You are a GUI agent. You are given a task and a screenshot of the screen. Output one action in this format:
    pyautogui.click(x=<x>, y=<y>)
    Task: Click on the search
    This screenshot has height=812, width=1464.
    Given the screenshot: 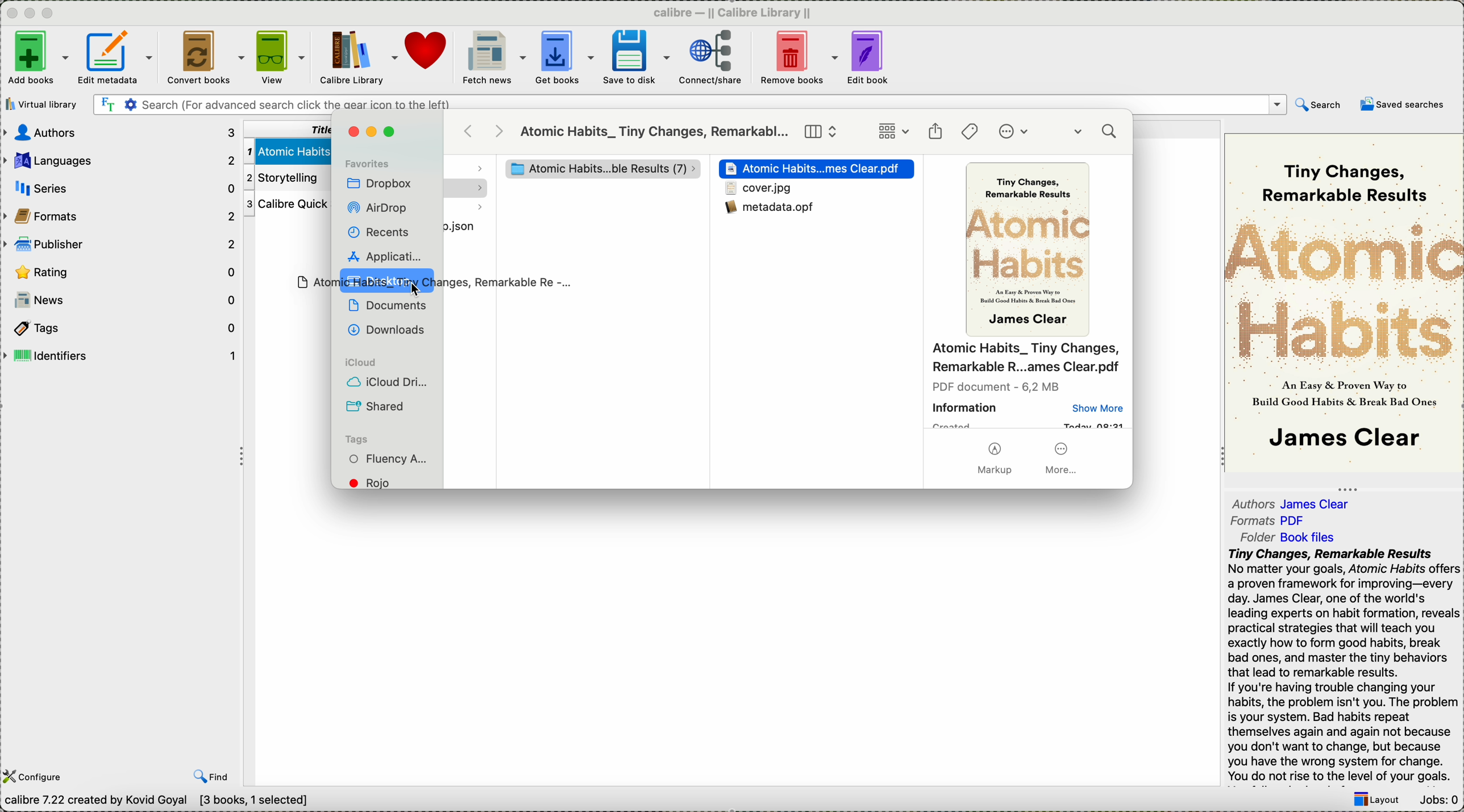 What is the action you would take?
    pyautogui.click(x=1097, y=134)
    